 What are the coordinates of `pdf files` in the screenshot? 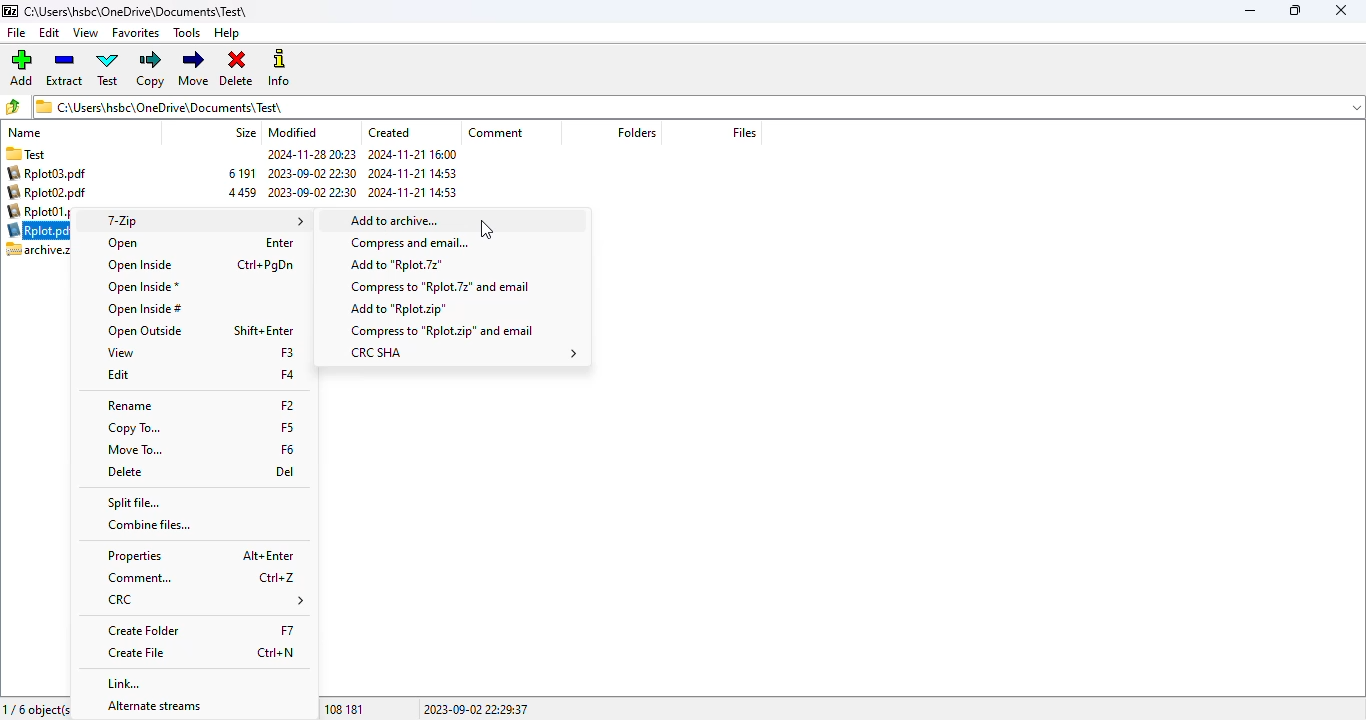 It's located at (45, 192).